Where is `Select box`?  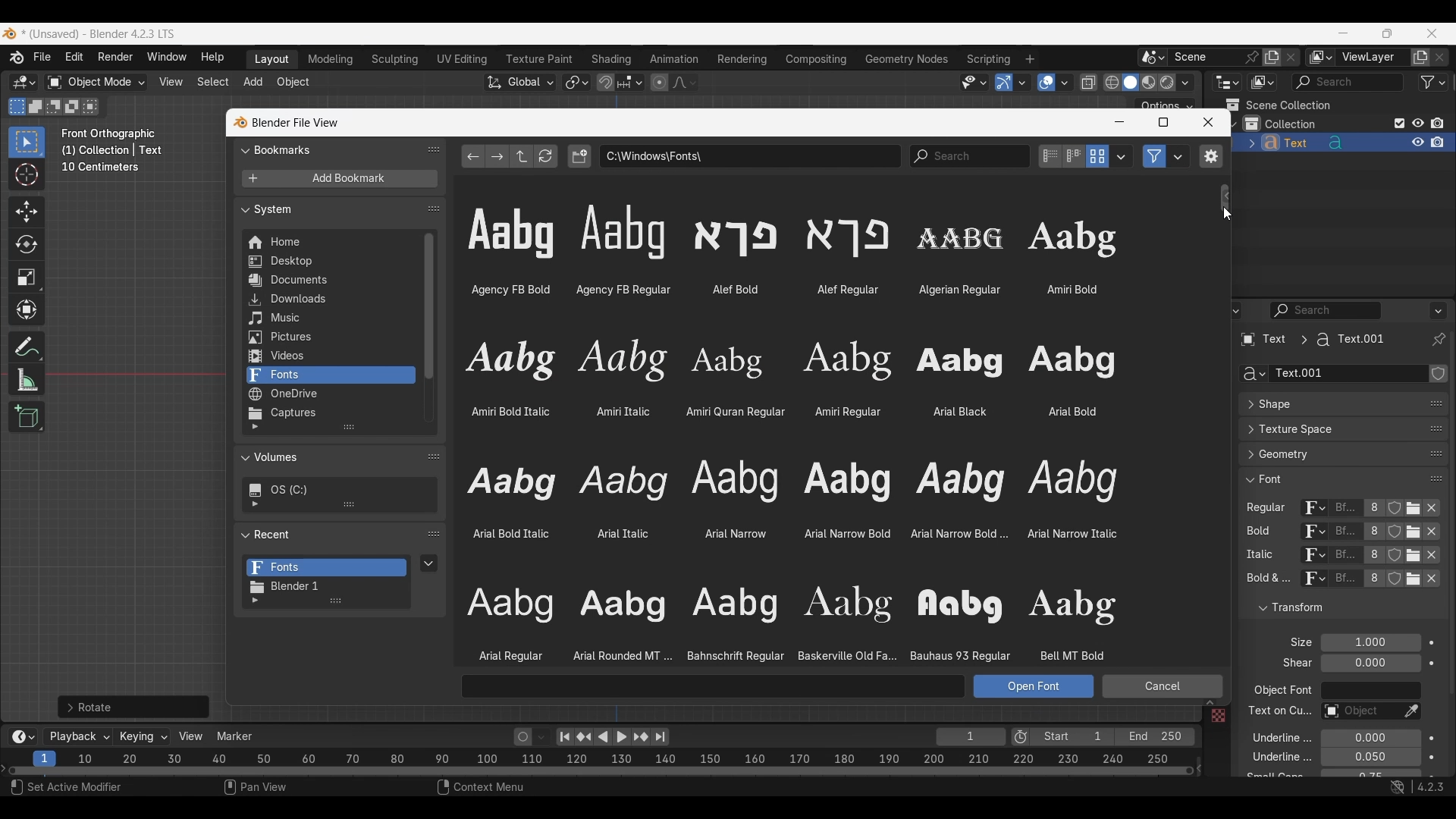 Select box is located at coordinates (27, 142).